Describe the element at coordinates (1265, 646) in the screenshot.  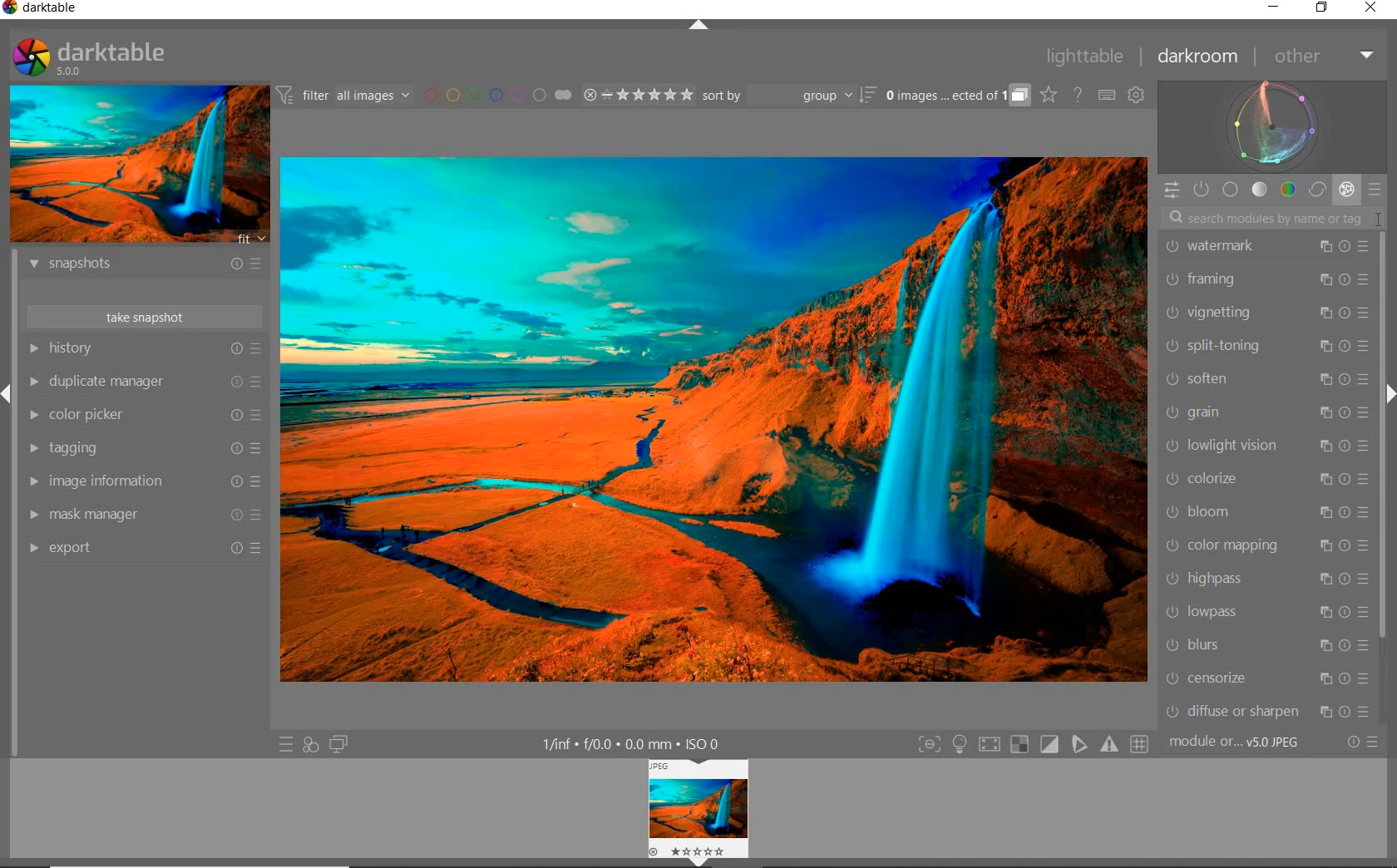
I see `blurs` at that location.